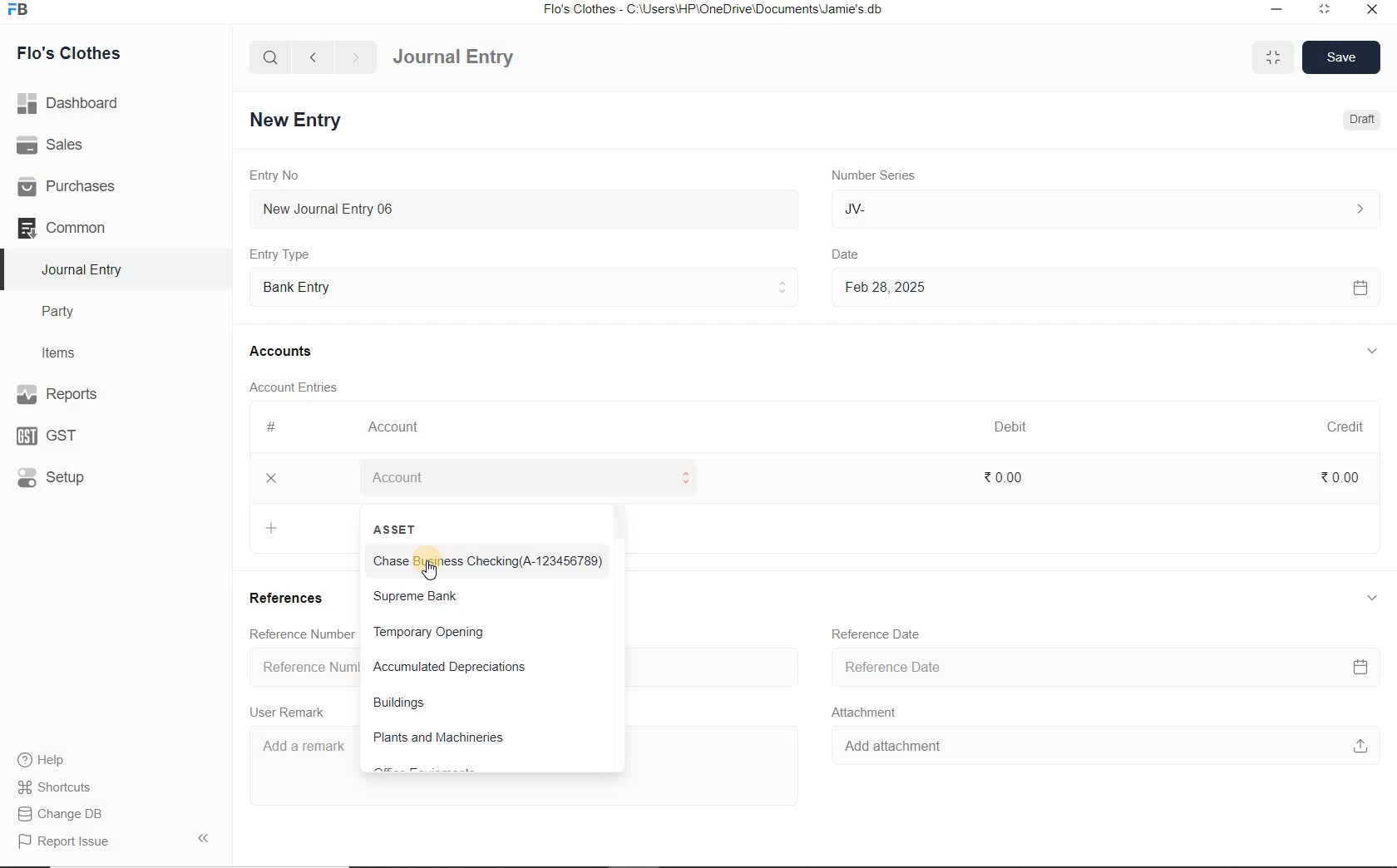 The height and width of the screenshot is (868, 1397). What do you see at coordinates (1337, 476) in the screenshot?
I see `₹0.00` at bounding box center [1337, 476].